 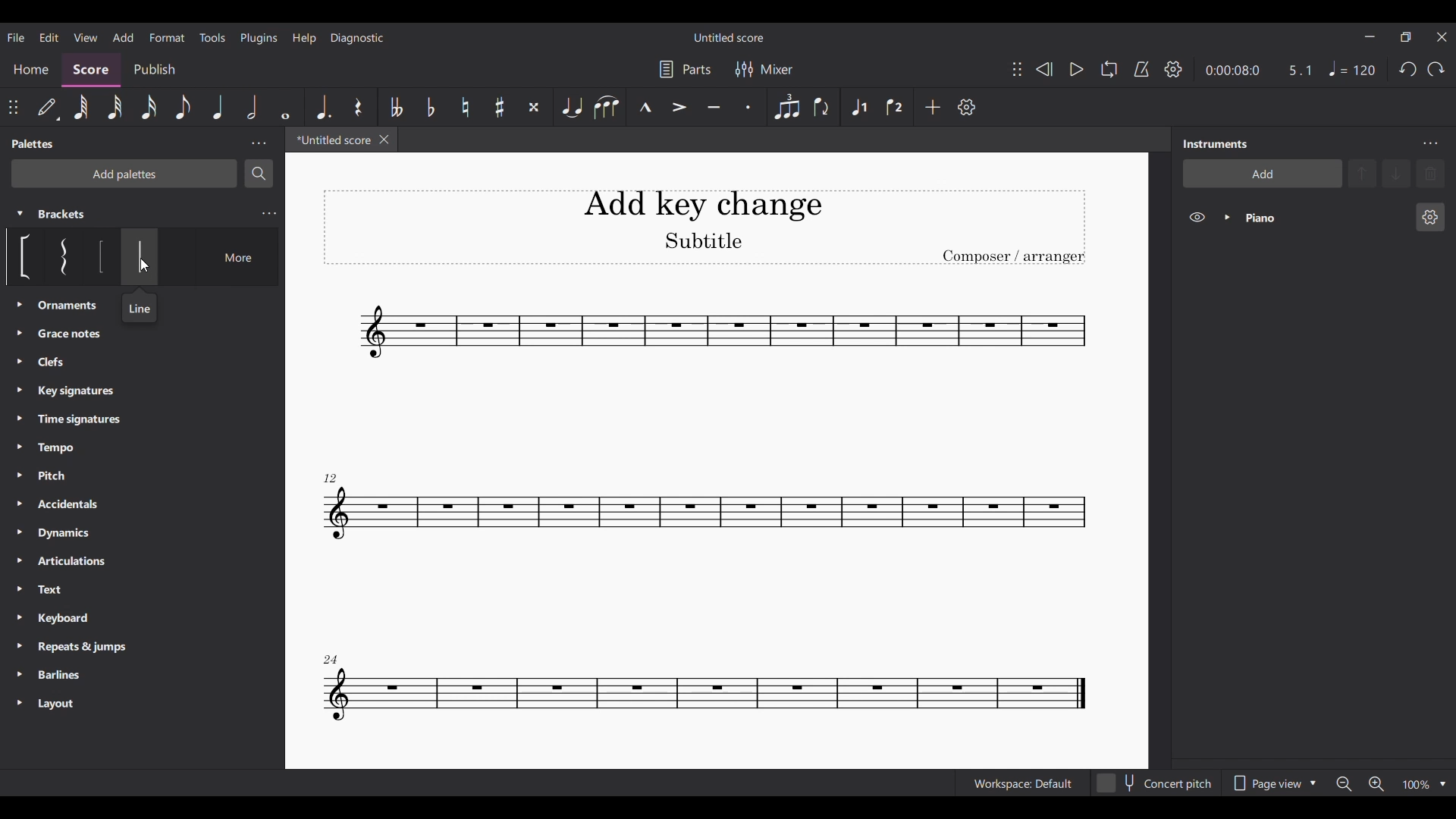 What do you see at coordinates (685, 69) in the screenshot?
I see `Parts` at bounding box center [685, 69].